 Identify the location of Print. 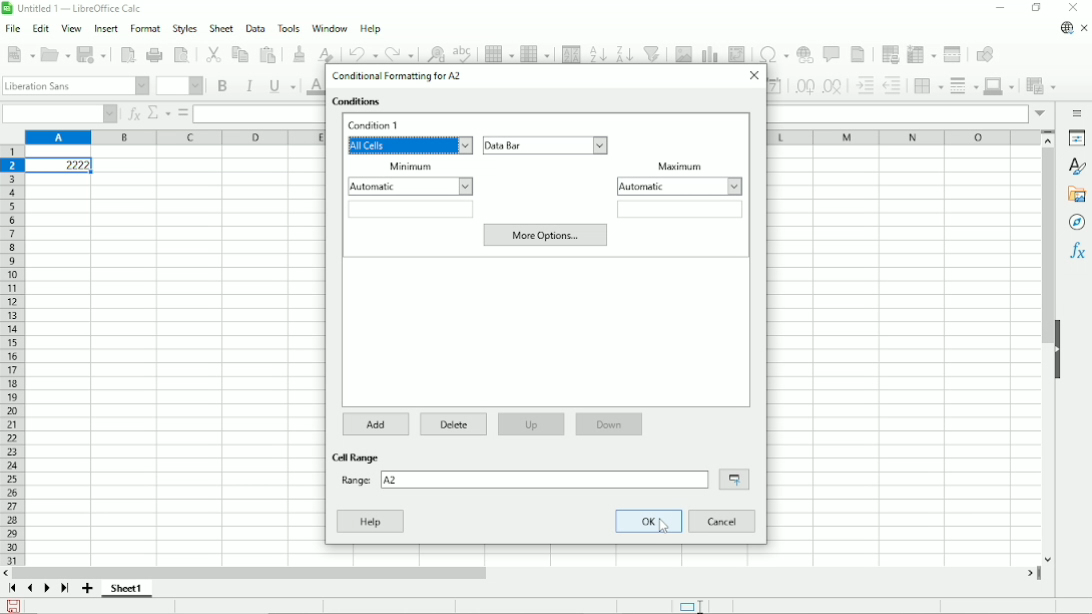
(154, 55).